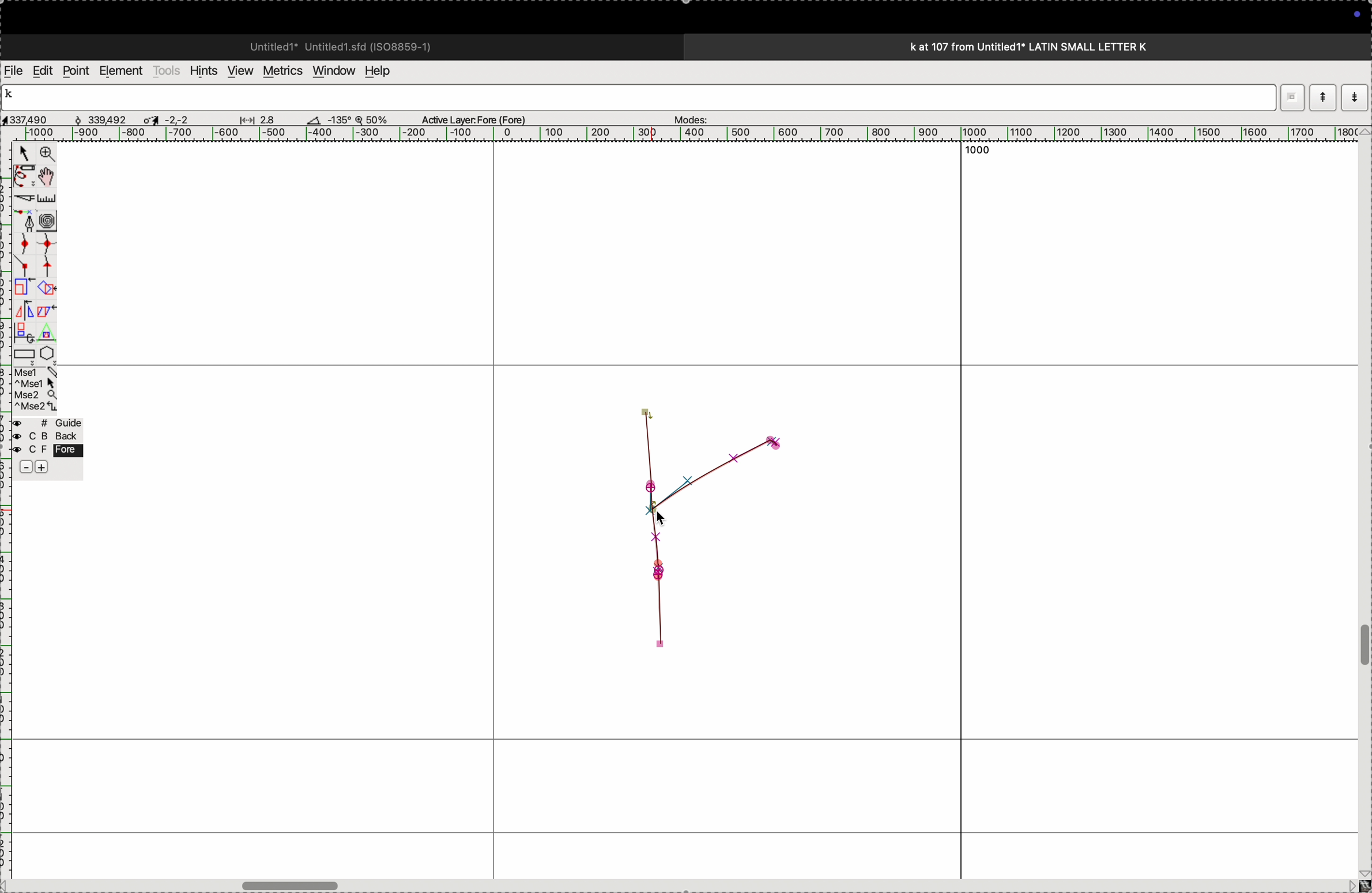  What do you see at coordinates (1291, 97) in the screenshot?
I see `` at bounding box center [1291, 97].